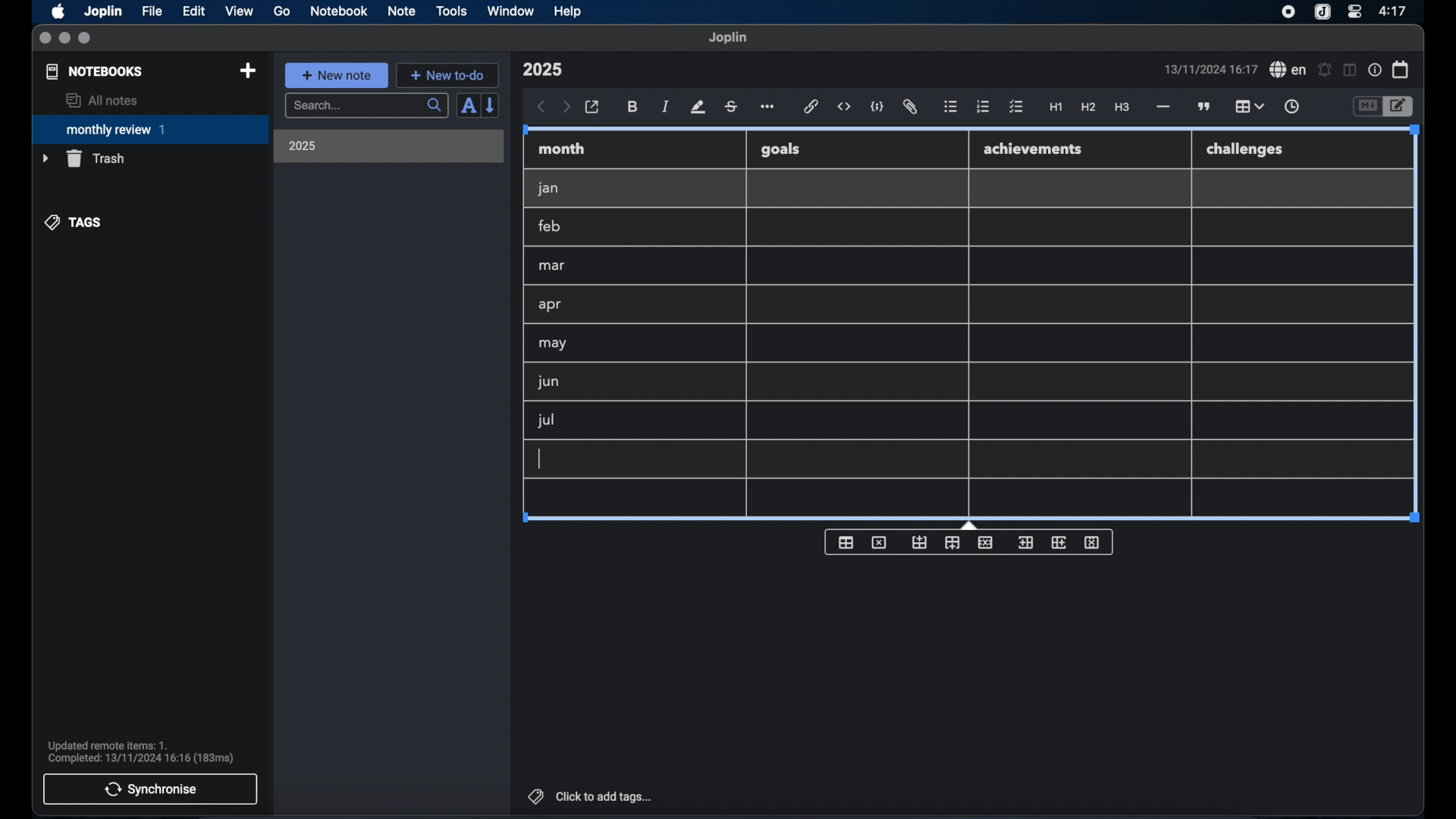 The image size is (1456, 819). Describe the element at coordinates (634, 107) in the screenshot. I see `bold` at that location.